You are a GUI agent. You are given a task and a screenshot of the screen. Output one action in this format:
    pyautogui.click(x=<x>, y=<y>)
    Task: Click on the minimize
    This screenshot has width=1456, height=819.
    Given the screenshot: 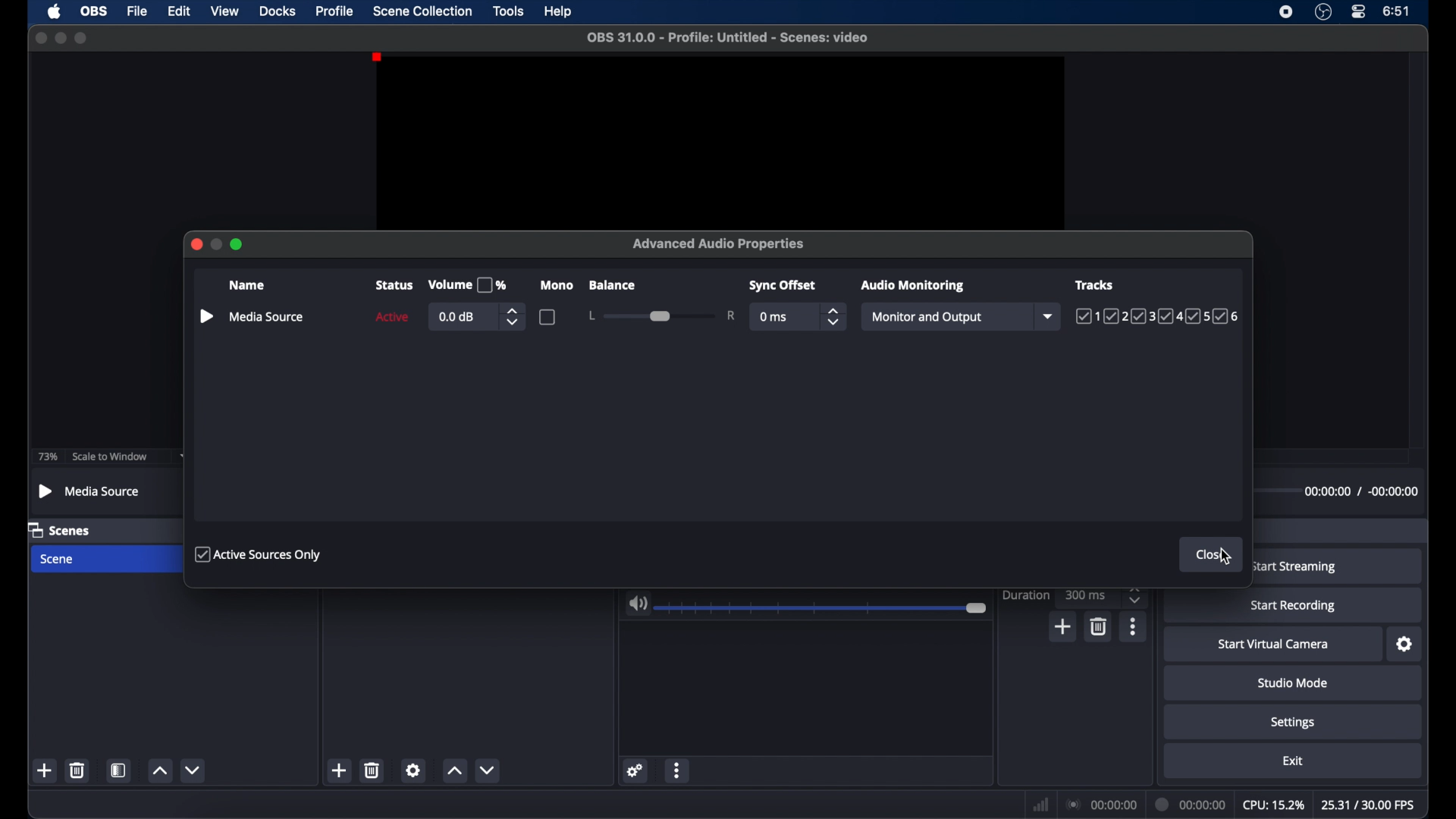 What is the action you would take?
    pyautogui.click(x=215, y=245)
    